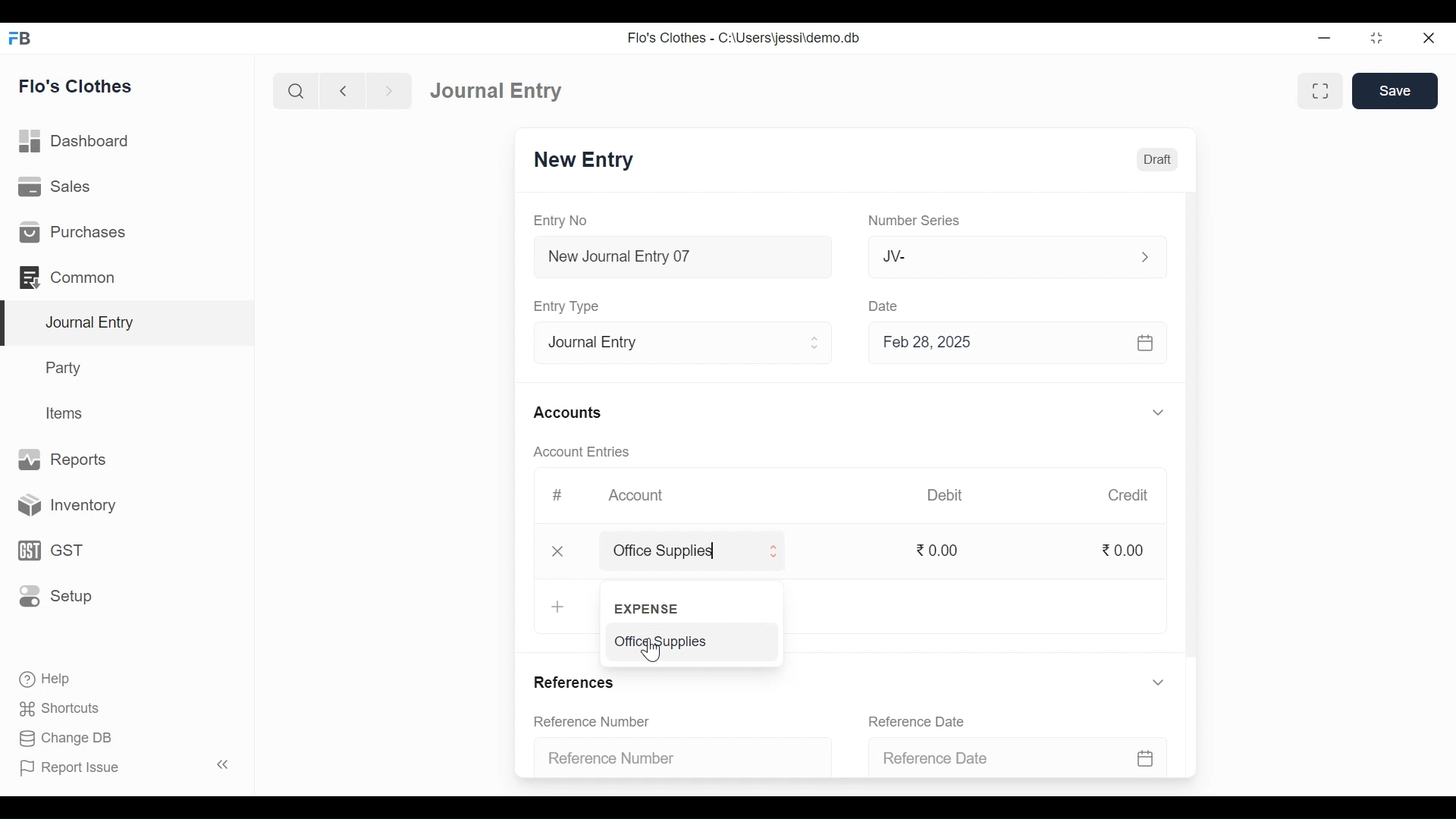 The image size is (1456, 819). I want to click on 0.00, so click(943, 550).